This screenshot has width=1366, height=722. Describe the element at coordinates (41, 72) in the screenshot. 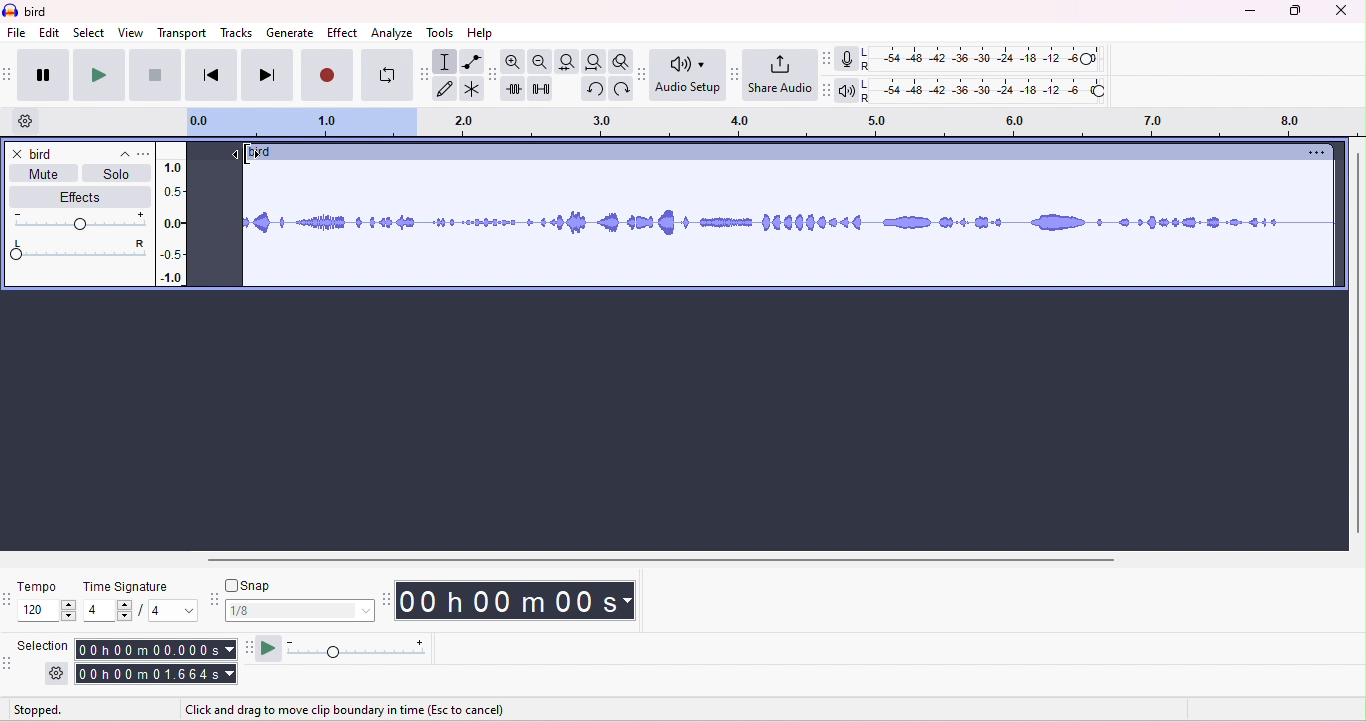

I see `pause` at that location.